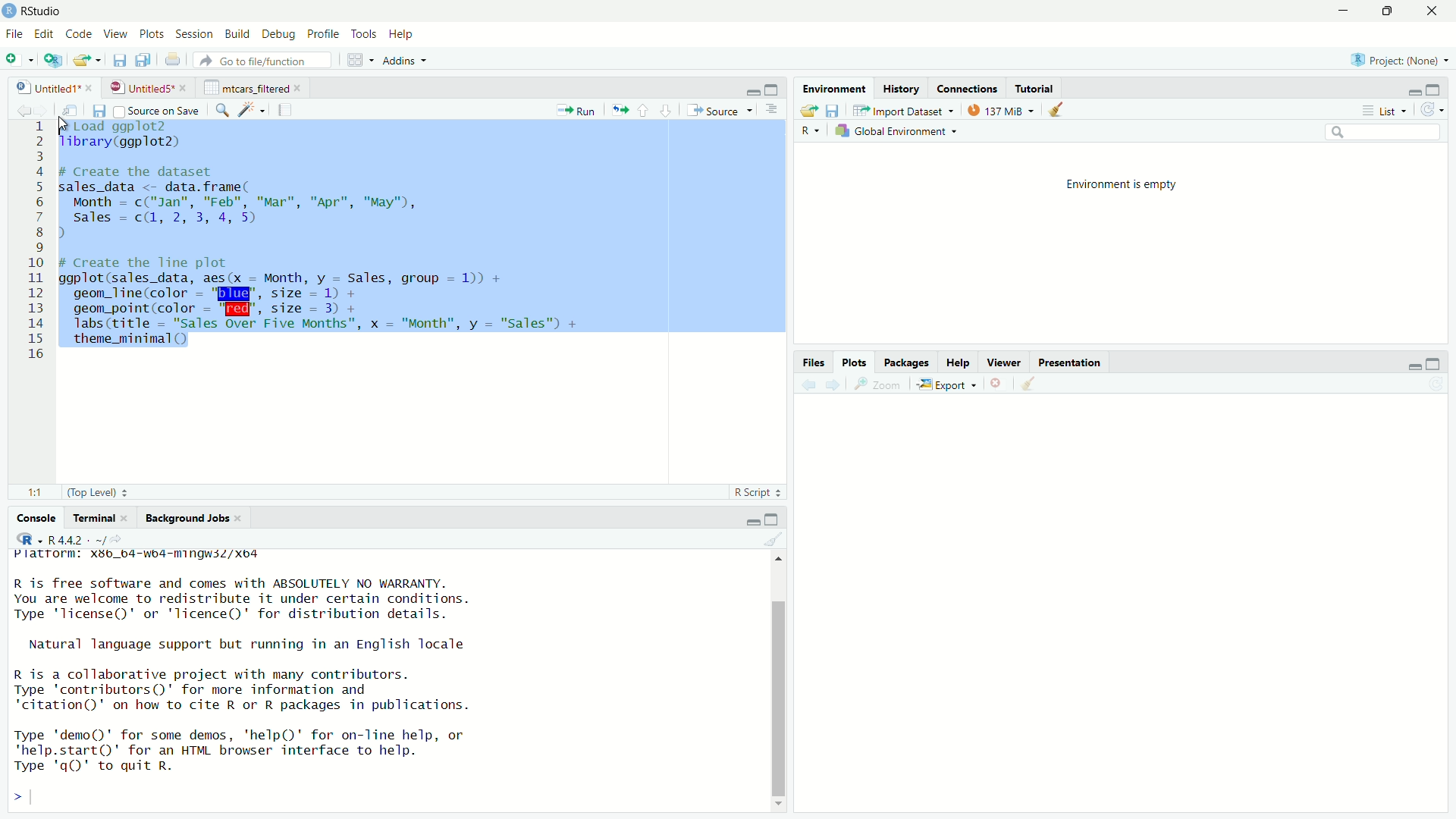 The image size is (1456, 819). Describe the element at coordinates (811, 385) in the screenshot. I see `back` at that location.